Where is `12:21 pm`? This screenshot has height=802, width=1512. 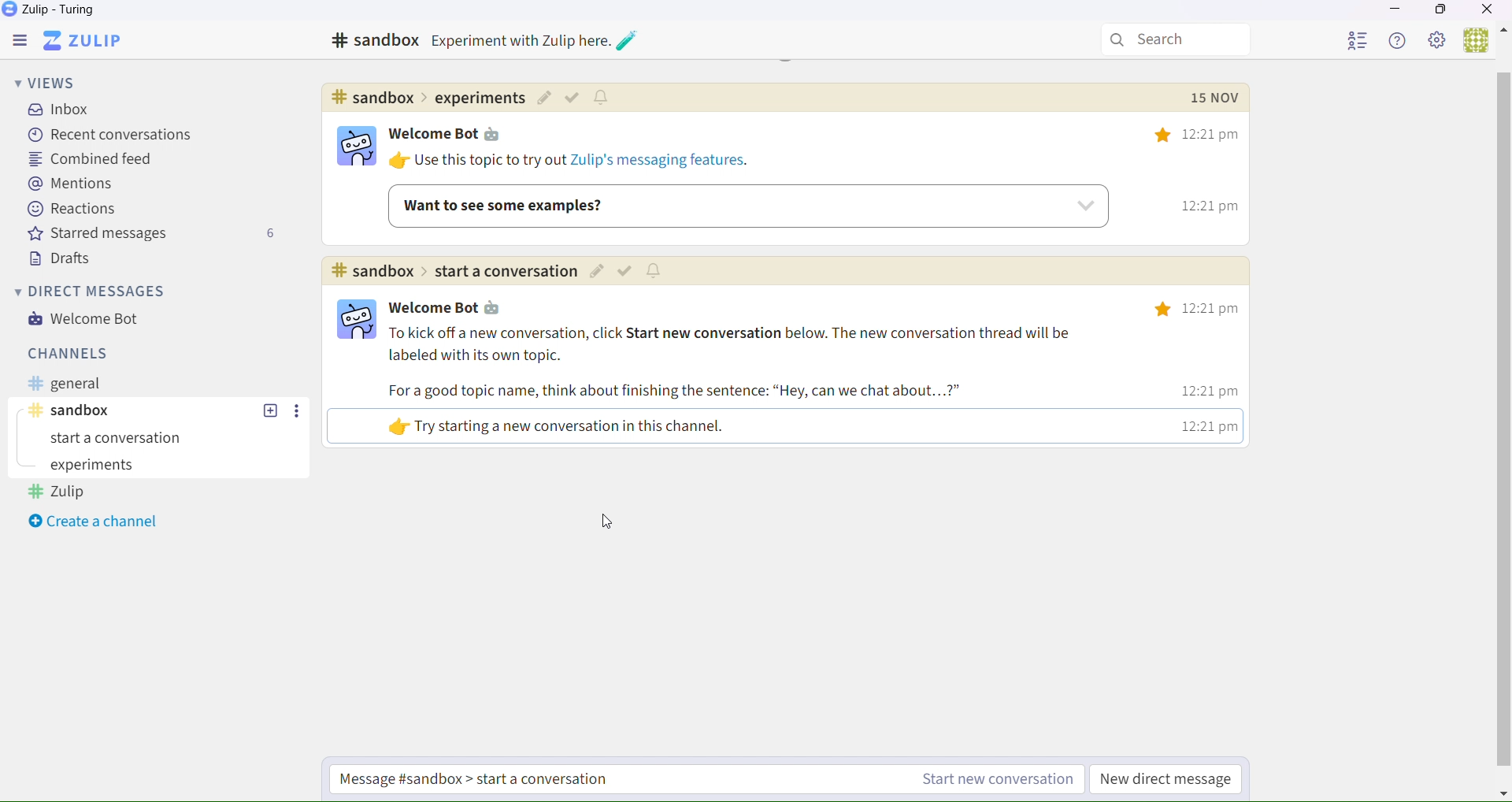 12:21 pm is located at coordinates (1203, 425).